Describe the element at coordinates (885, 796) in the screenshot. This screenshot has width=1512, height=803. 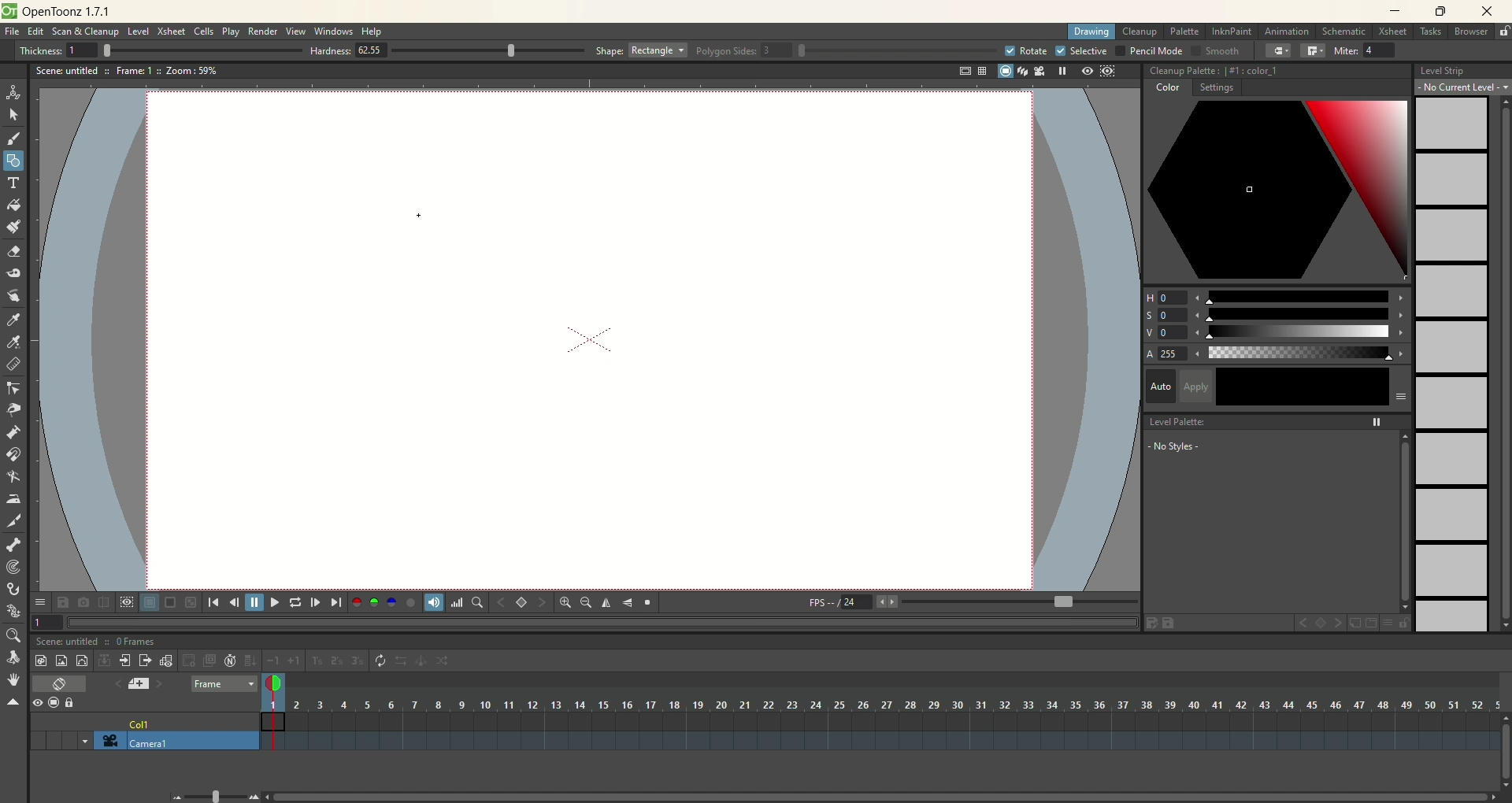
I see `horizontal scrollbar` at that location.